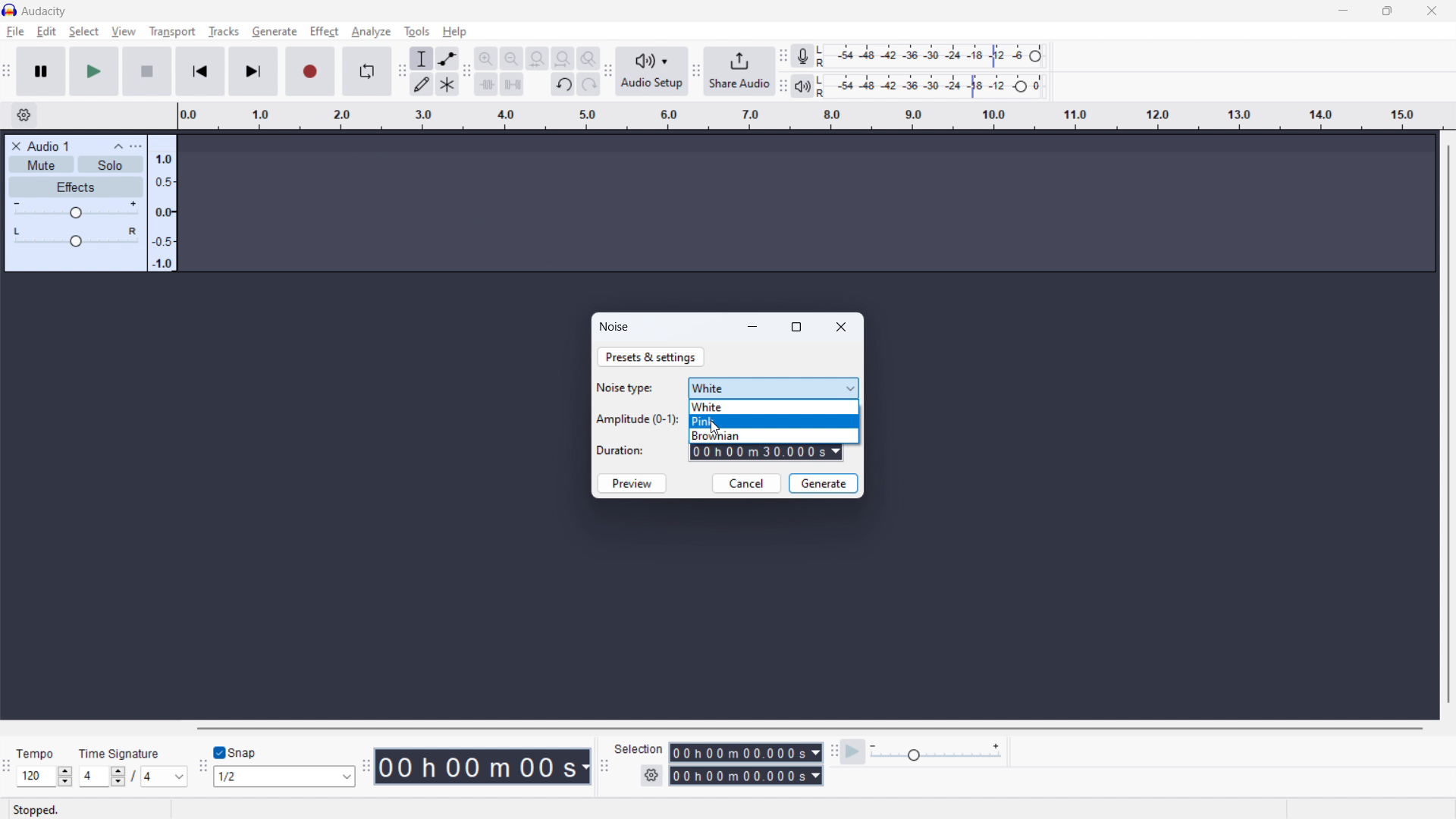  I want to click on skip to start, so click(200, 71).